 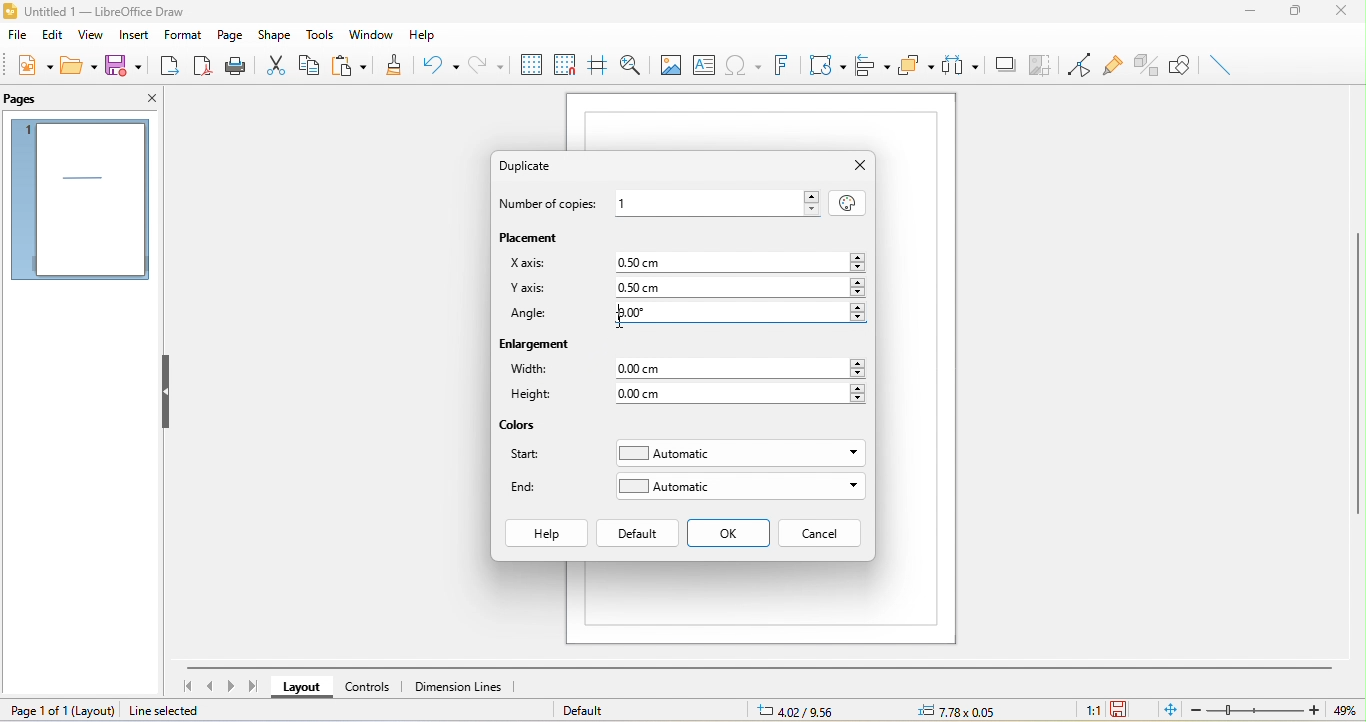 I want to click on 0.50 cm, so click(x=739, y=288).